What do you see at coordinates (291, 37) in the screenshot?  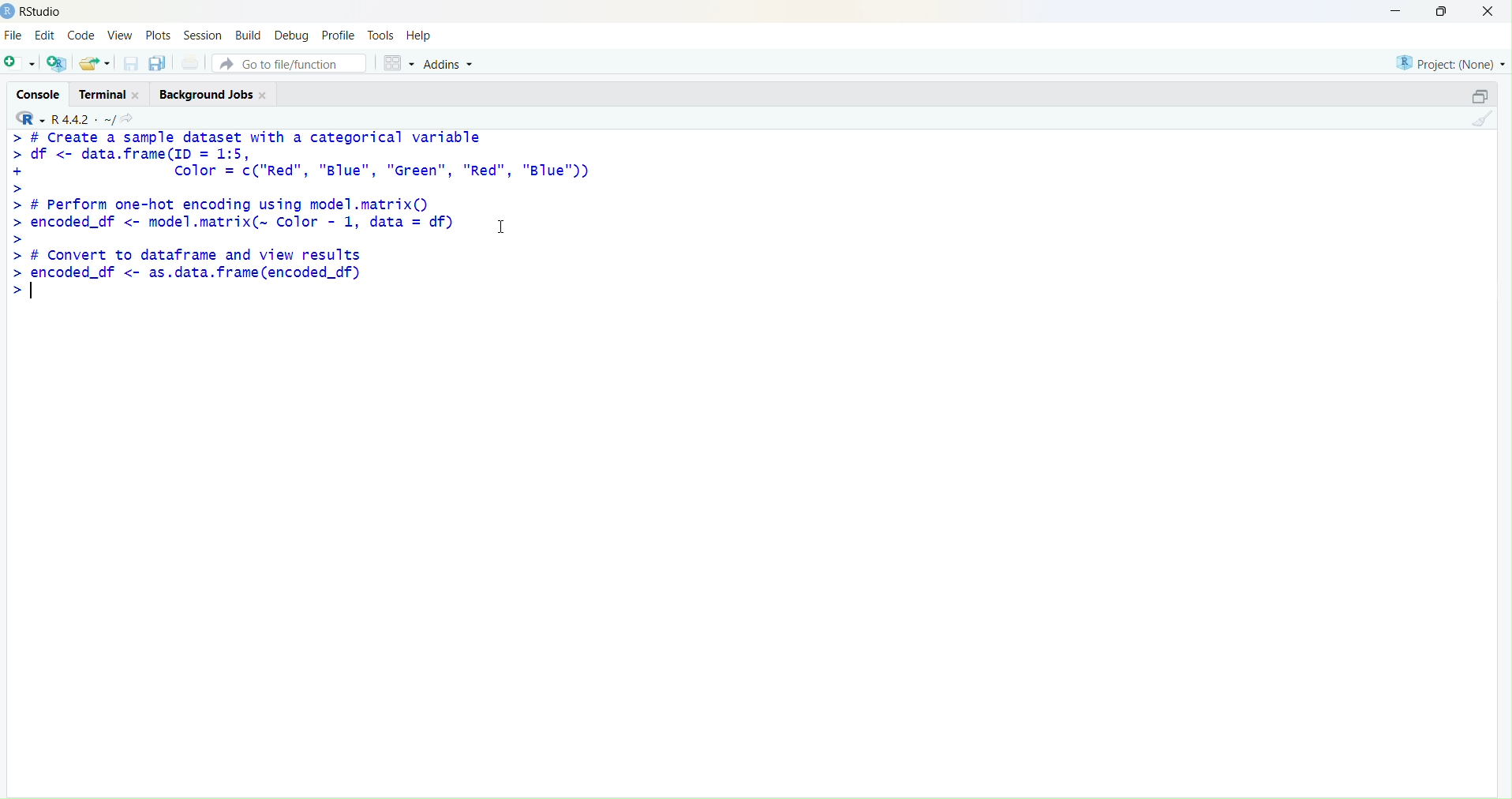 I see `debug` at bounding box center [291, 37].